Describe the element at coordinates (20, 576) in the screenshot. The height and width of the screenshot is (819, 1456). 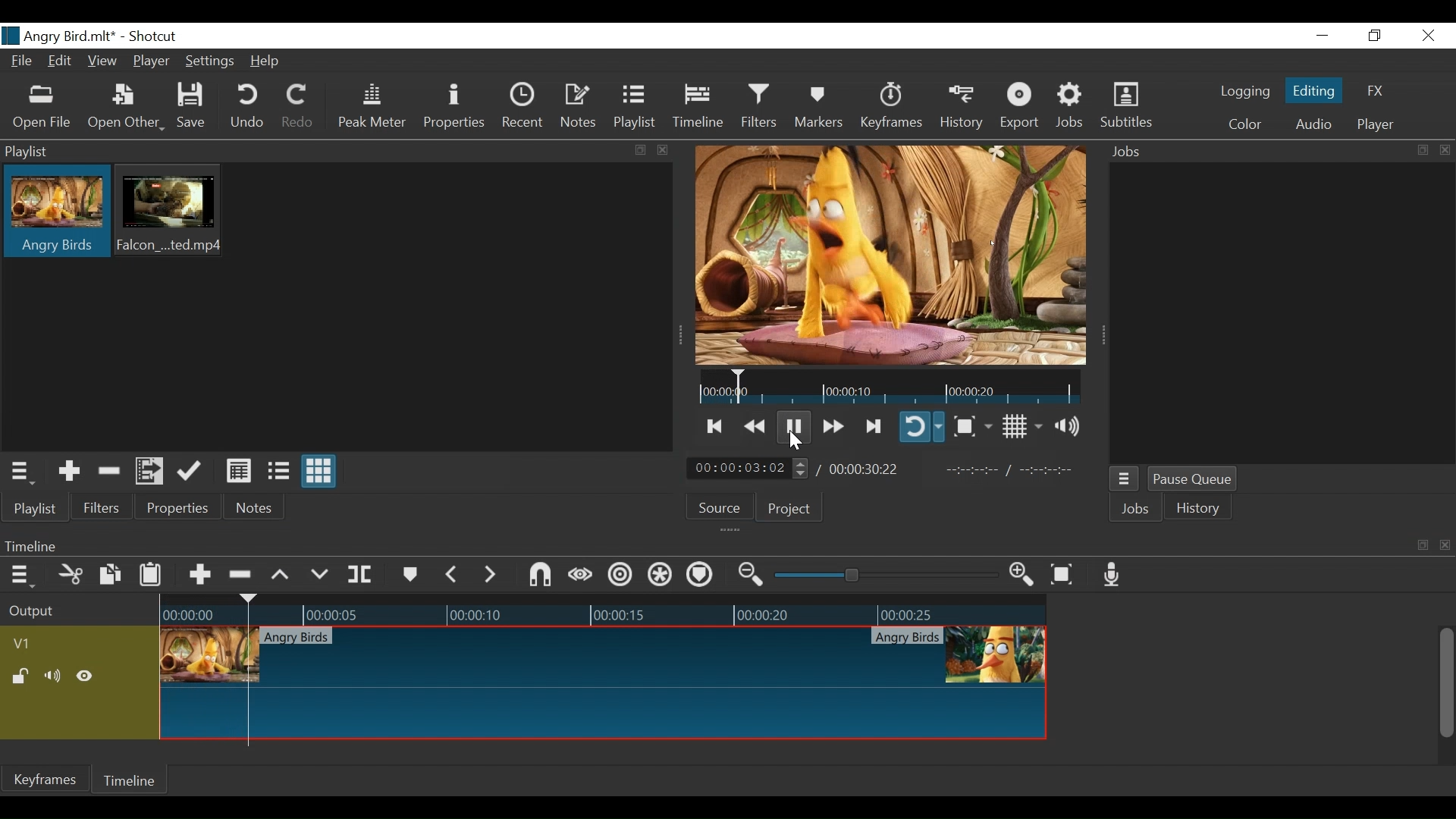
I see `Timeline menu` at that location.